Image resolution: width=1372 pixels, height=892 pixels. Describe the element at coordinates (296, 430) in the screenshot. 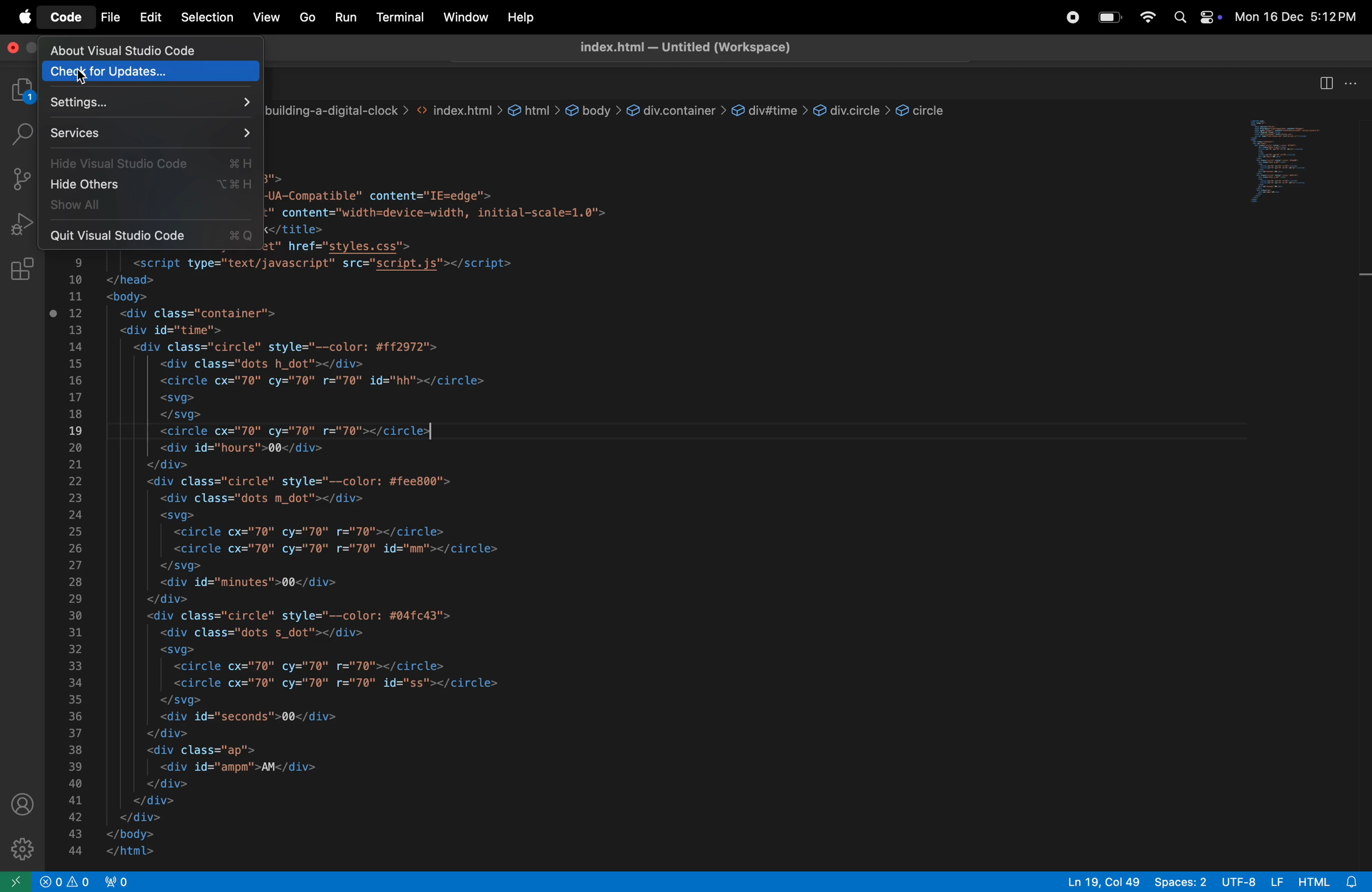

I see `| <circle cx="70" cy="70" r="70"></circle>` at that location.